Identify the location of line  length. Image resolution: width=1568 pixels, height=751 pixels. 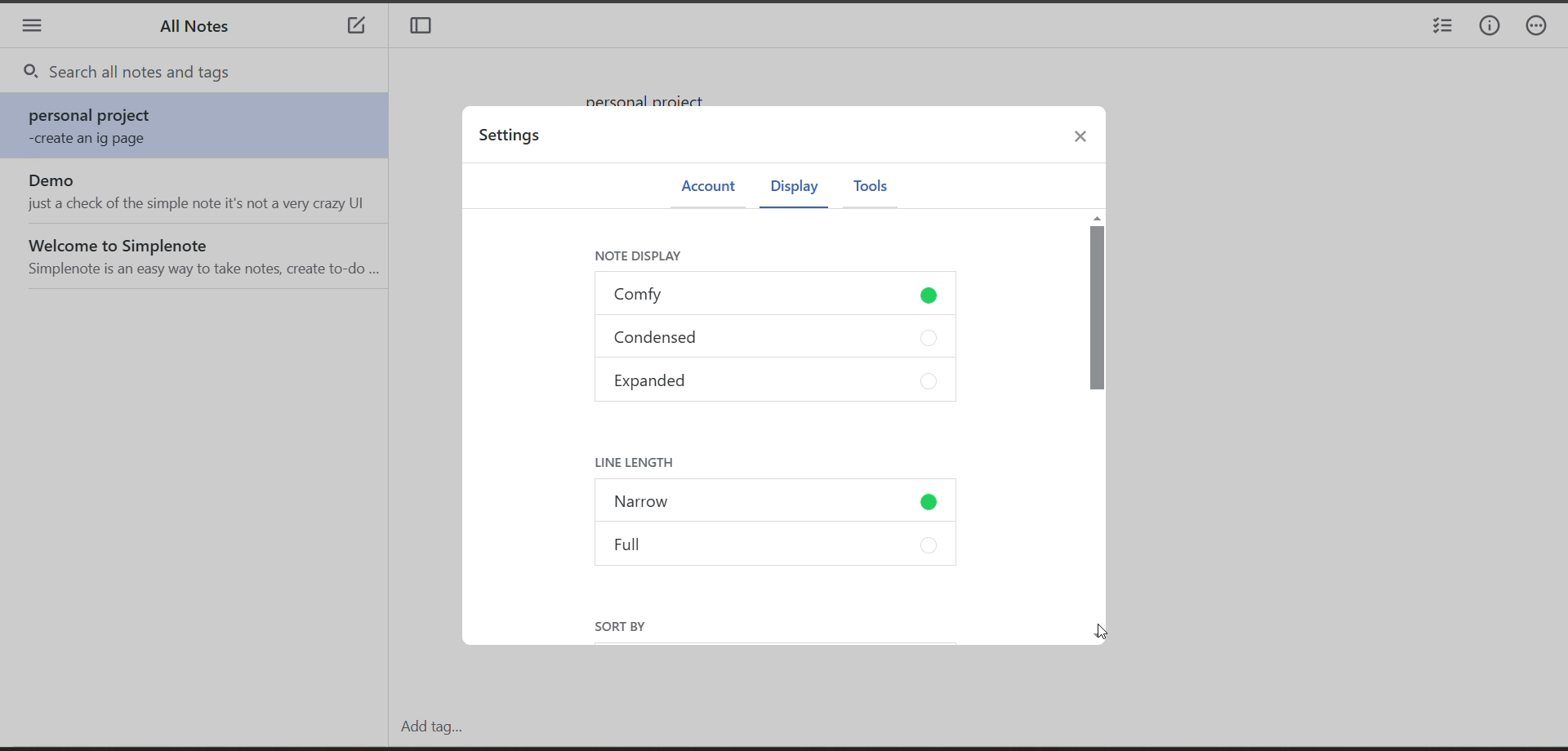
(647, 463).